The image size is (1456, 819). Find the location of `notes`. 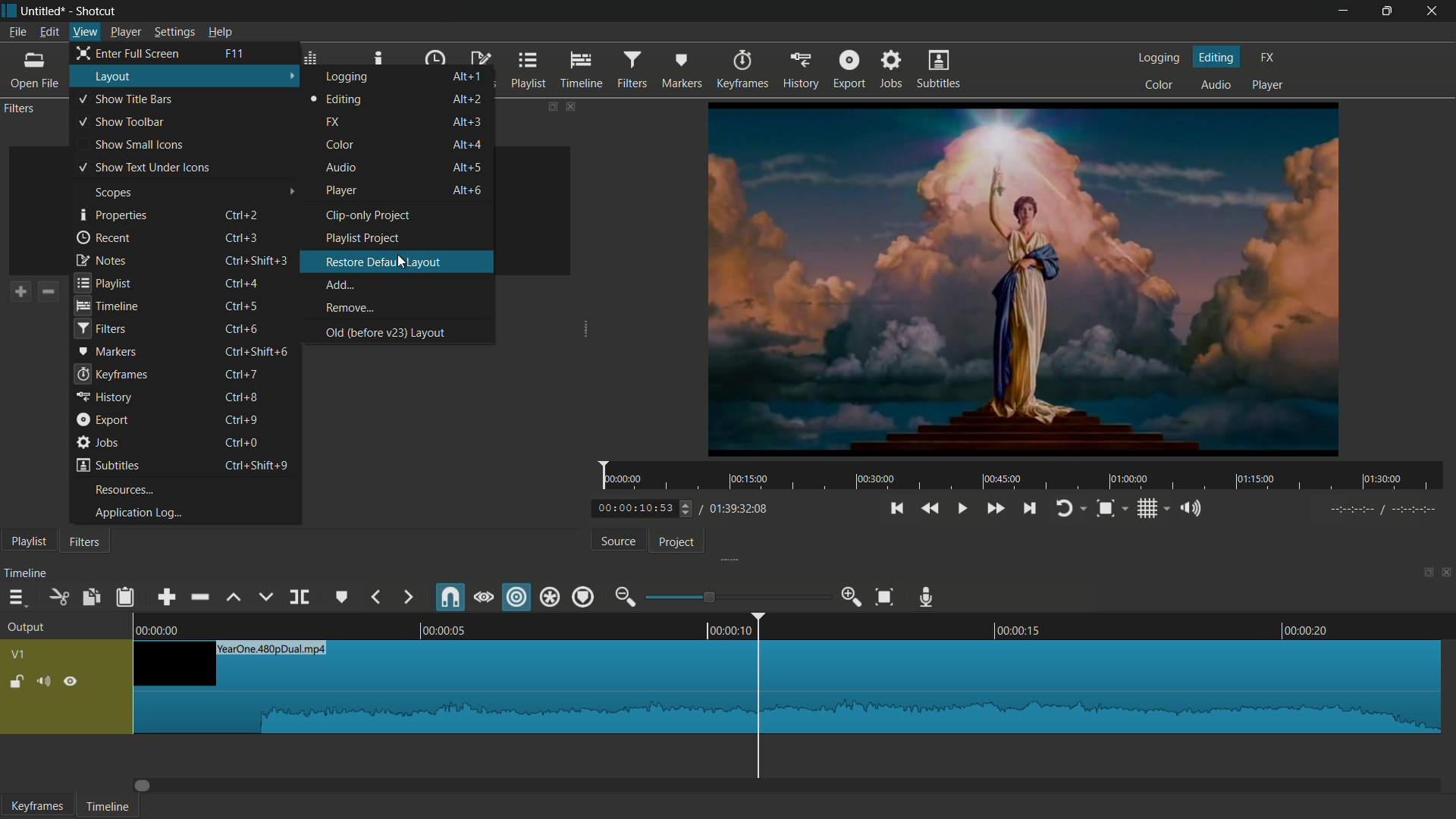

notes is located at coordinates (101, 259).